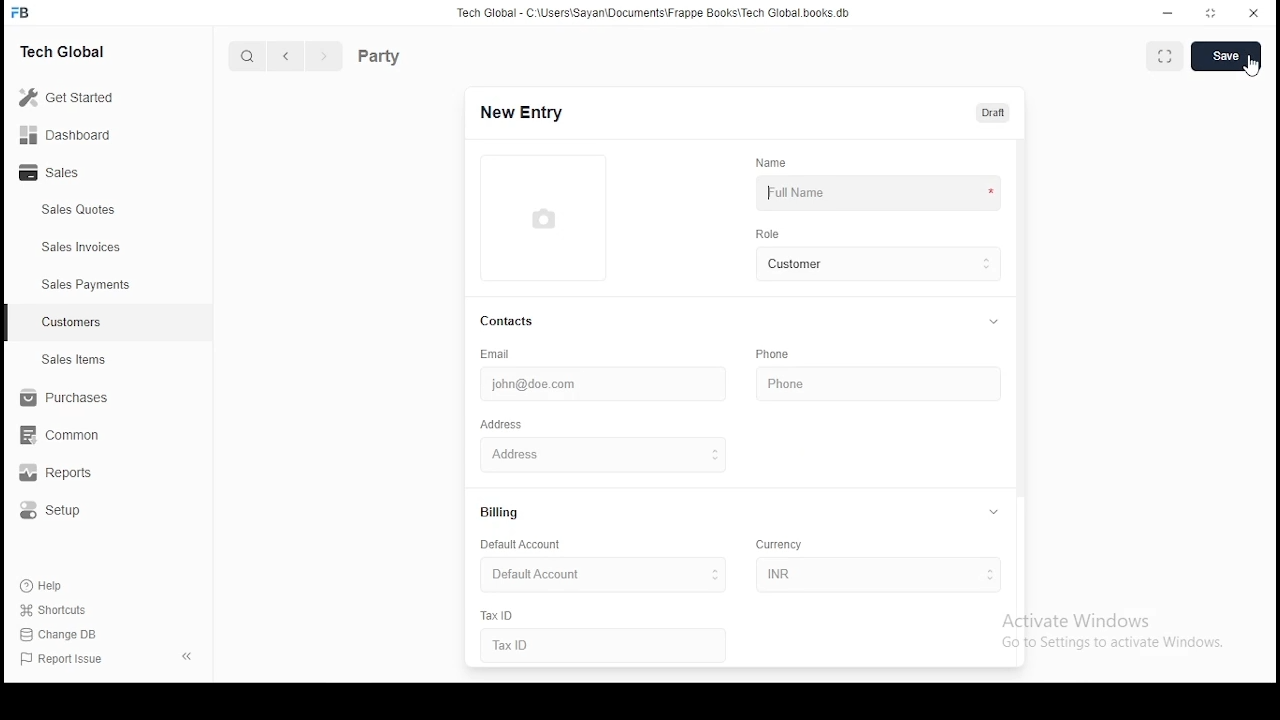 Image resolution: width=1280 pixels, height=720 pixels. I want to click on contacts, so click(508, 322).